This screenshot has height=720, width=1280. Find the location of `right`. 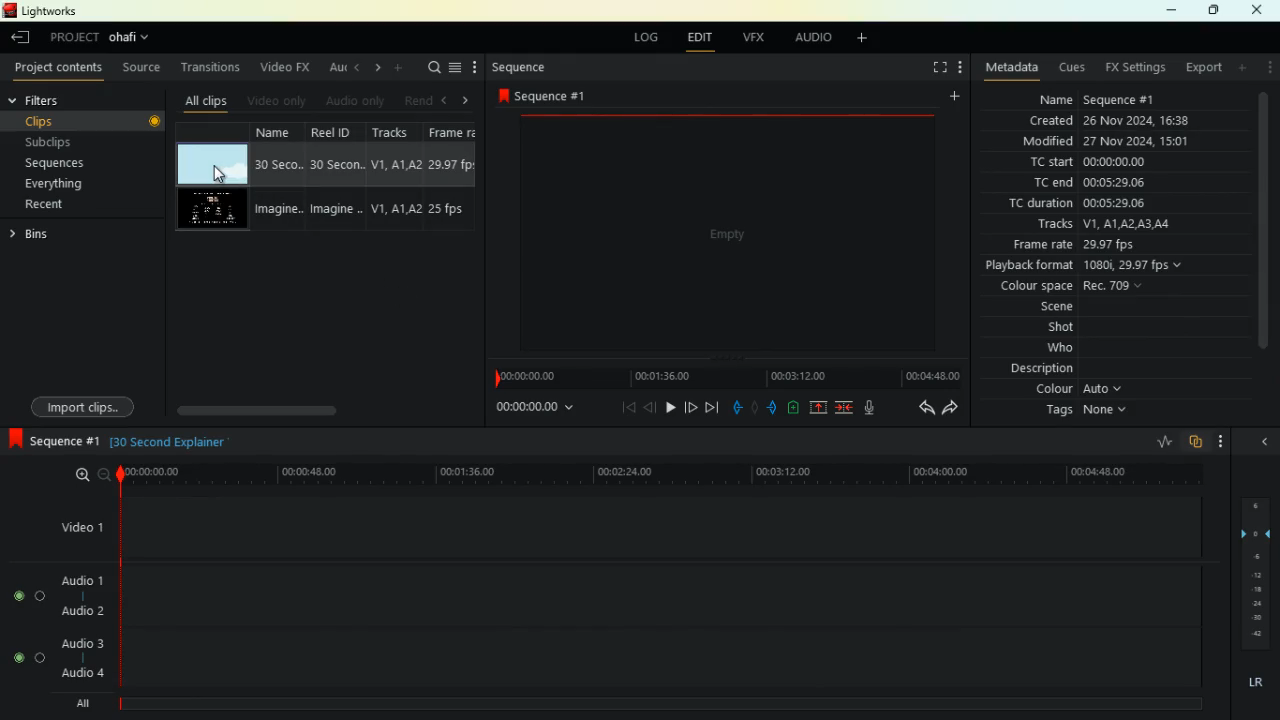

right is located at coordinates (468, 100).